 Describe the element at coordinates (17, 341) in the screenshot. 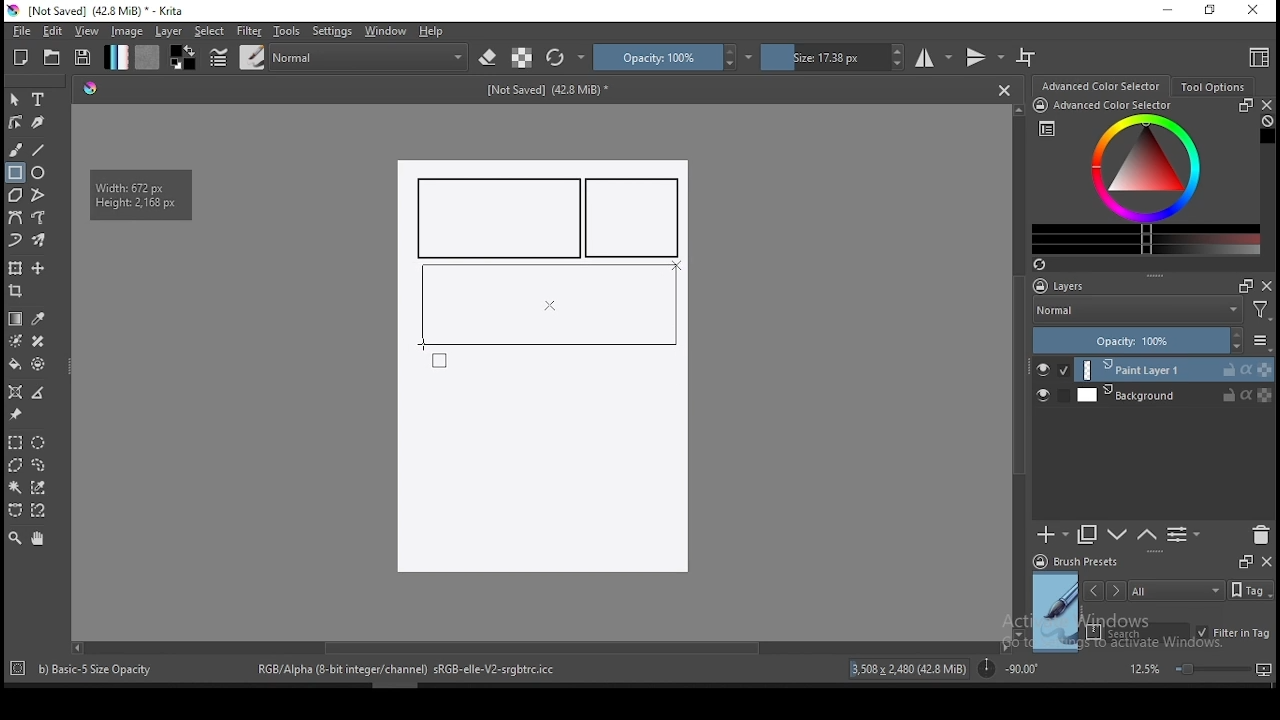

I see `colorize mask tool` at that location.